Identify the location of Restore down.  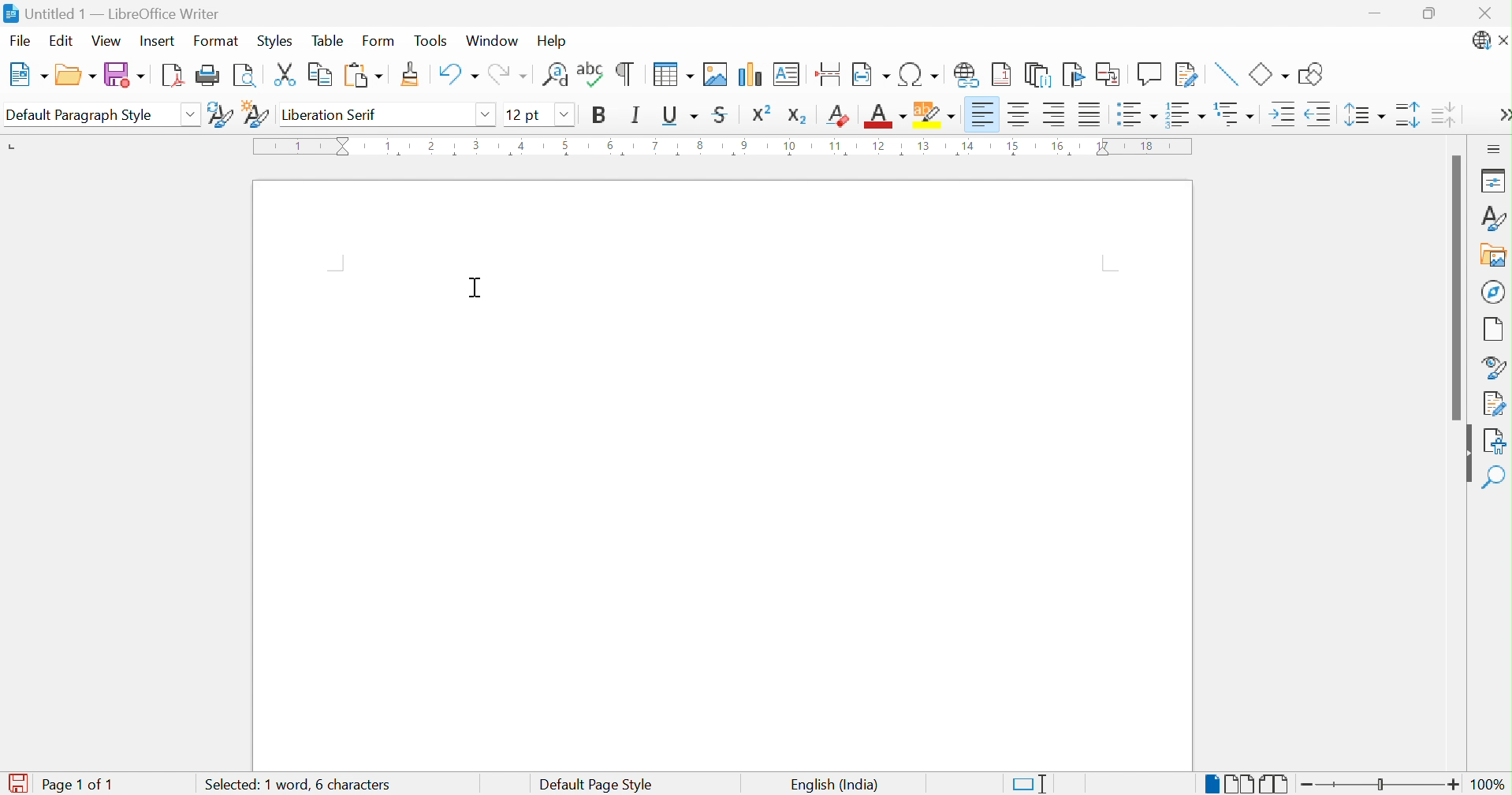
(1431, 15).